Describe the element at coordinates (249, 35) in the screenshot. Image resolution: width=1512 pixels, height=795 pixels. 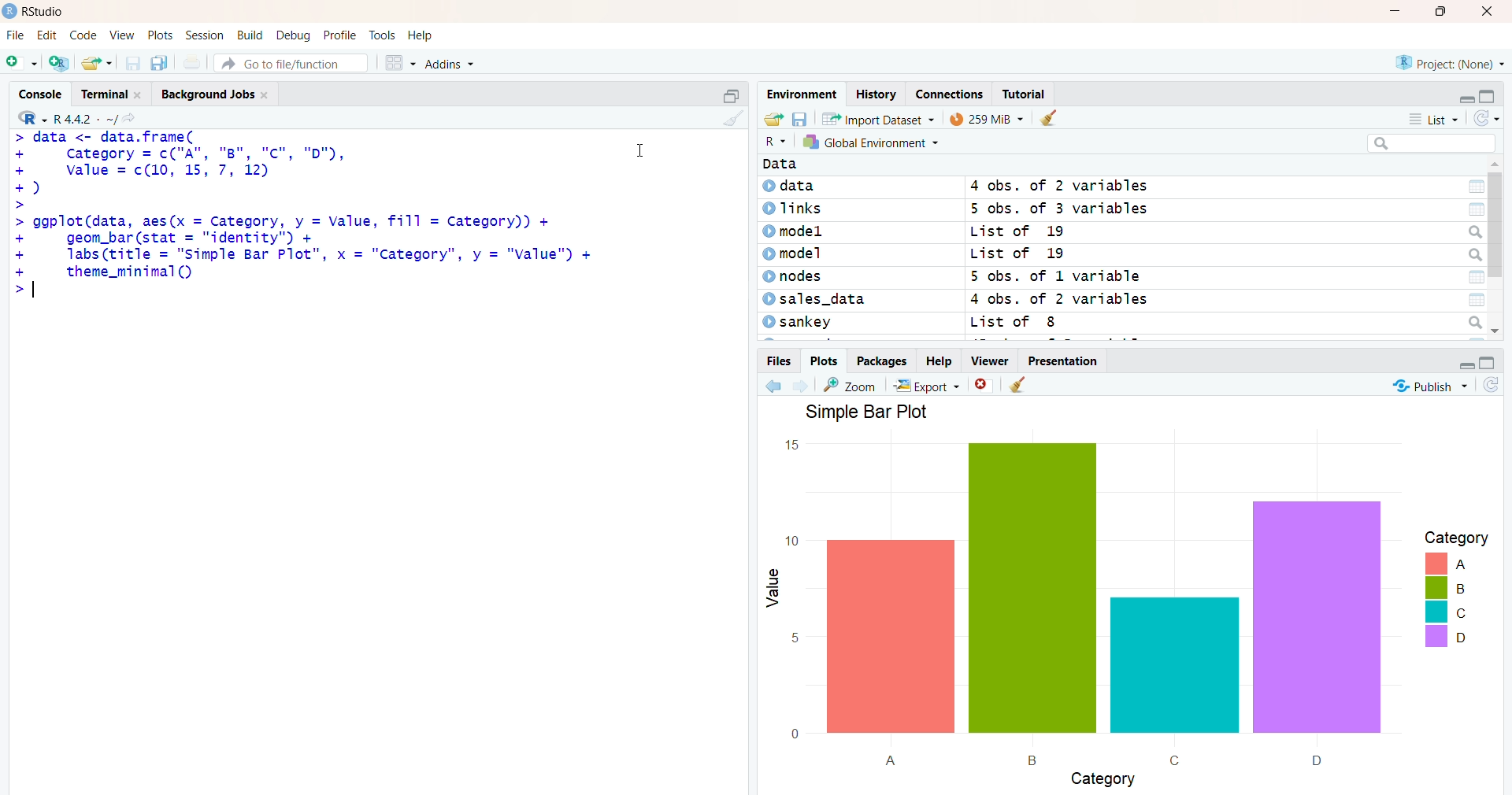
I see `build` at that location.